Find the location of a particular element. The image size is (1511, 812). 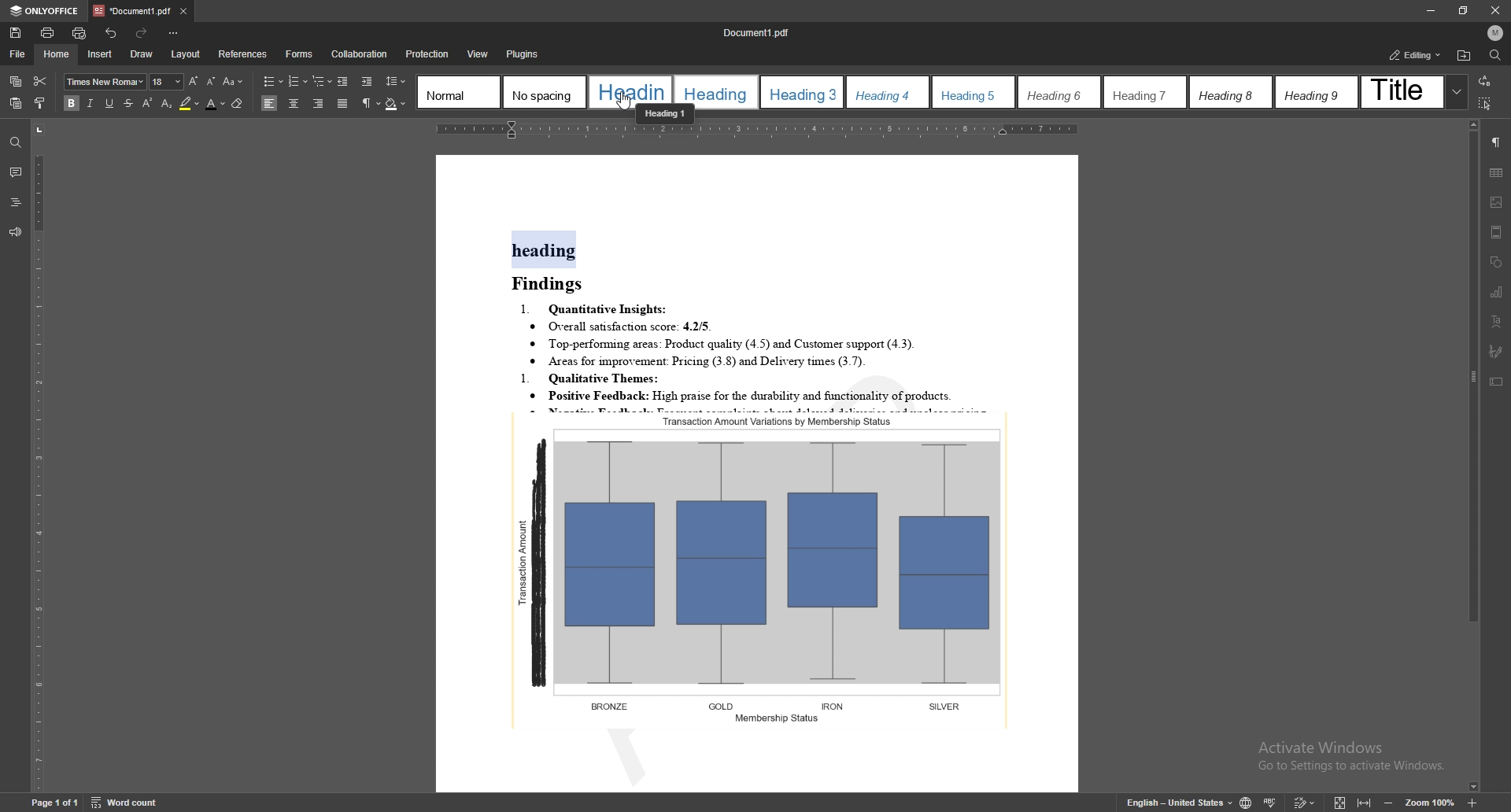

increase indent is located at coordinates (368, 83).